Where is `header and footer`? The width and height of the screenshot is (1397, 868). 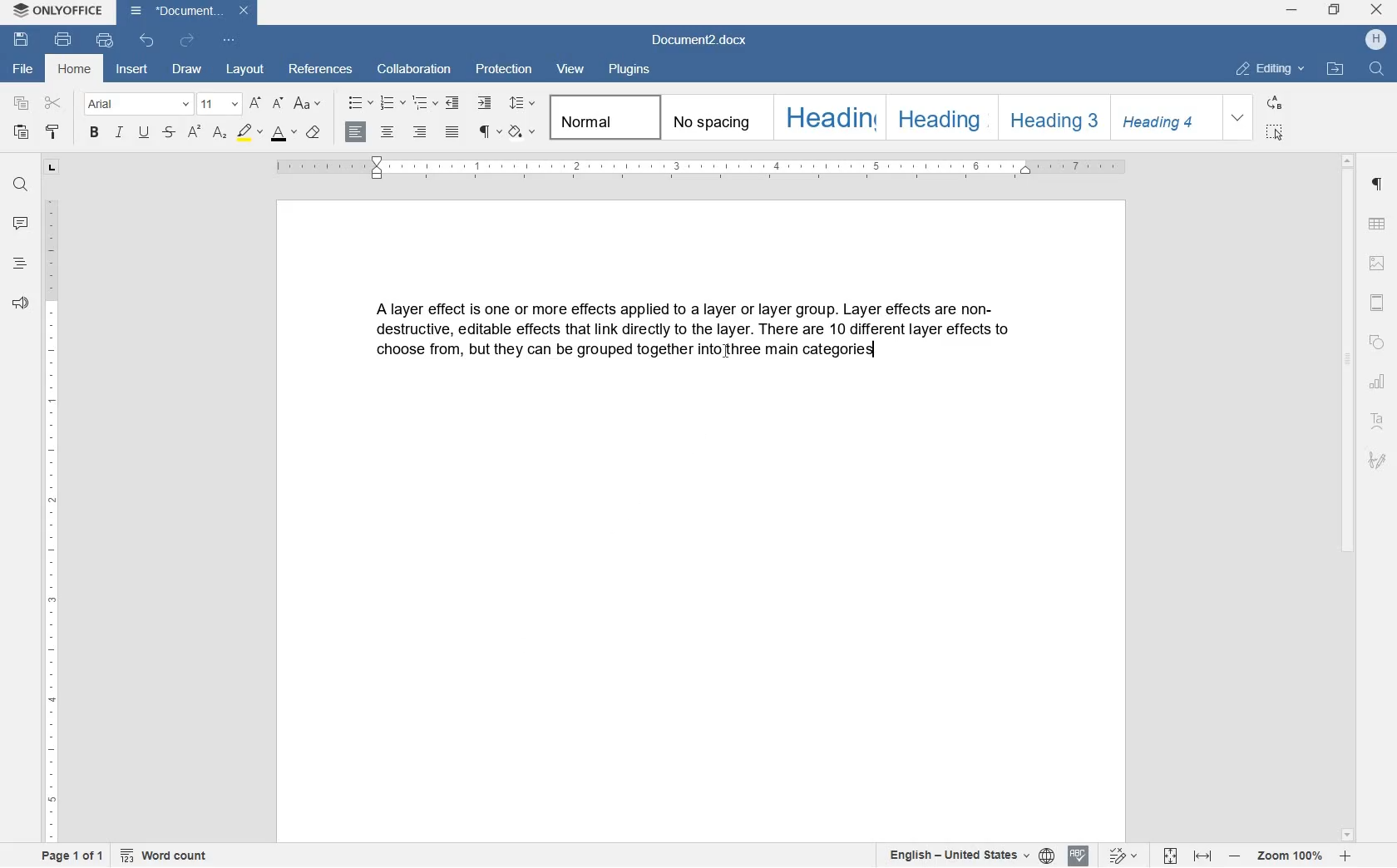 header and footer is located at coordinates (1379, 303).